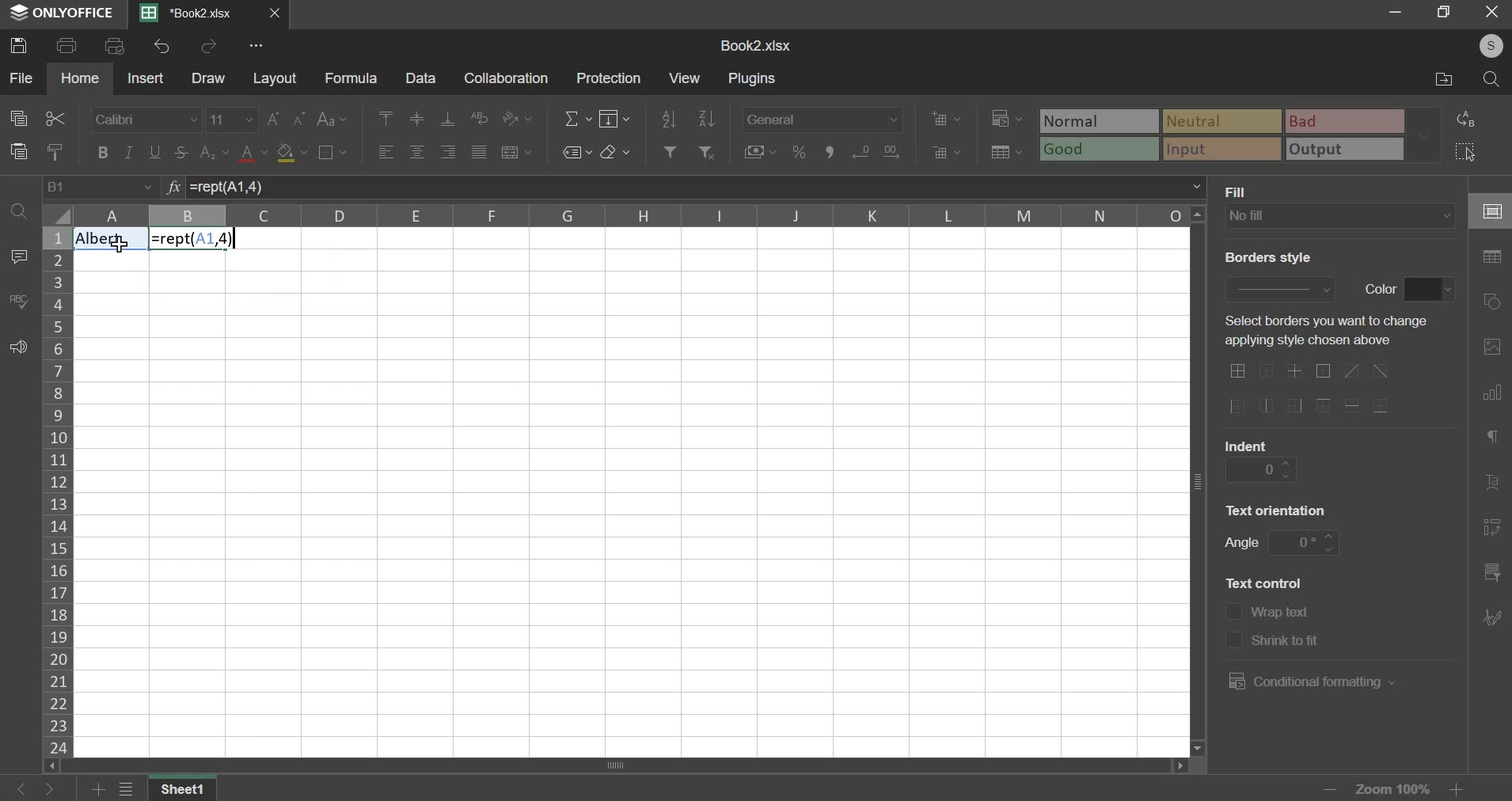 Image resolution: width=1512 pixels, height=801 pixels. Describe the element at coordinates (19, 118) in the screenshot. I see `copy` at that location.